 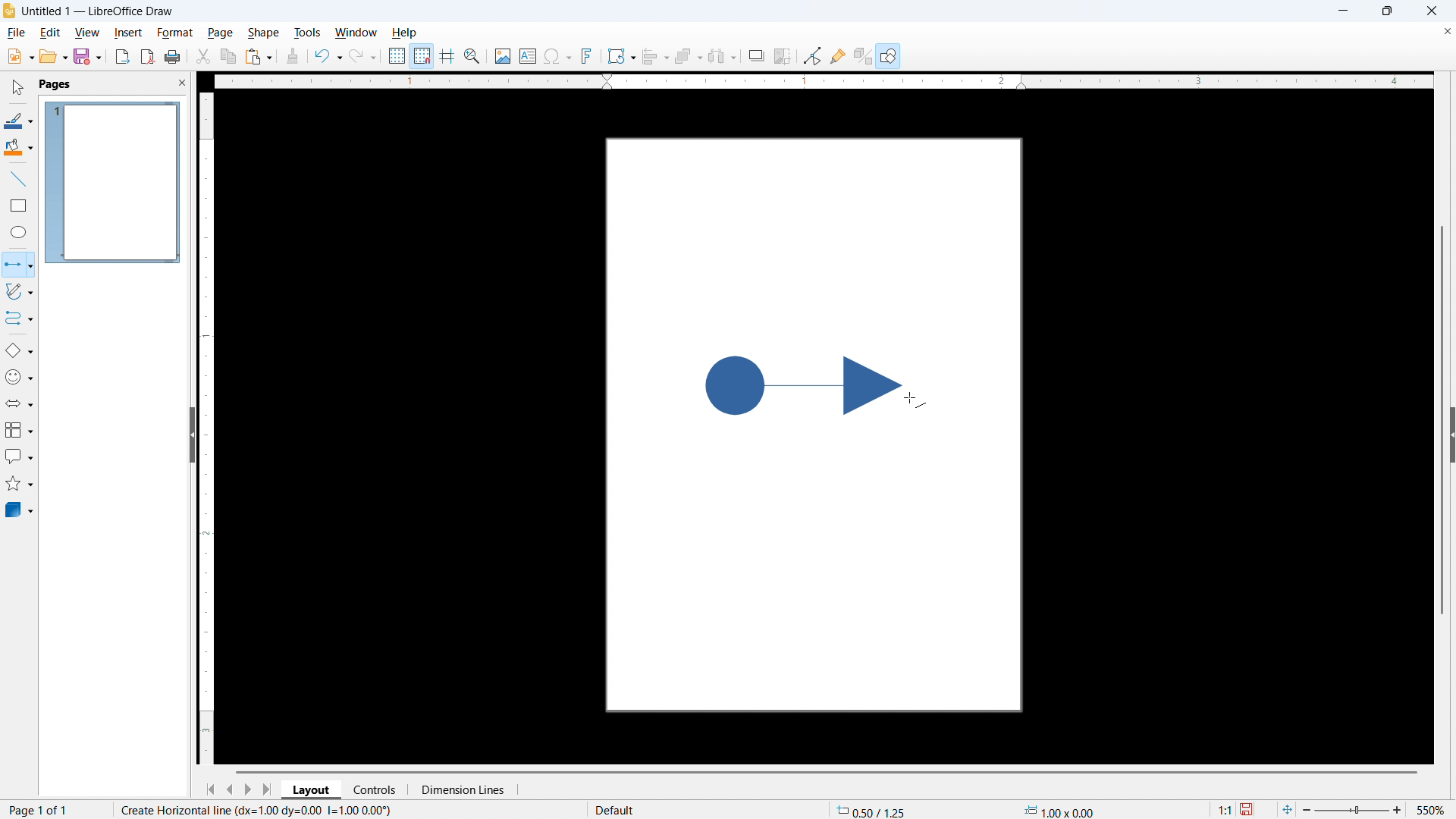 What do you see at coordinates (229, 789) in the screenshot?
I see `Previous page ` at bounding box center [229, 789].